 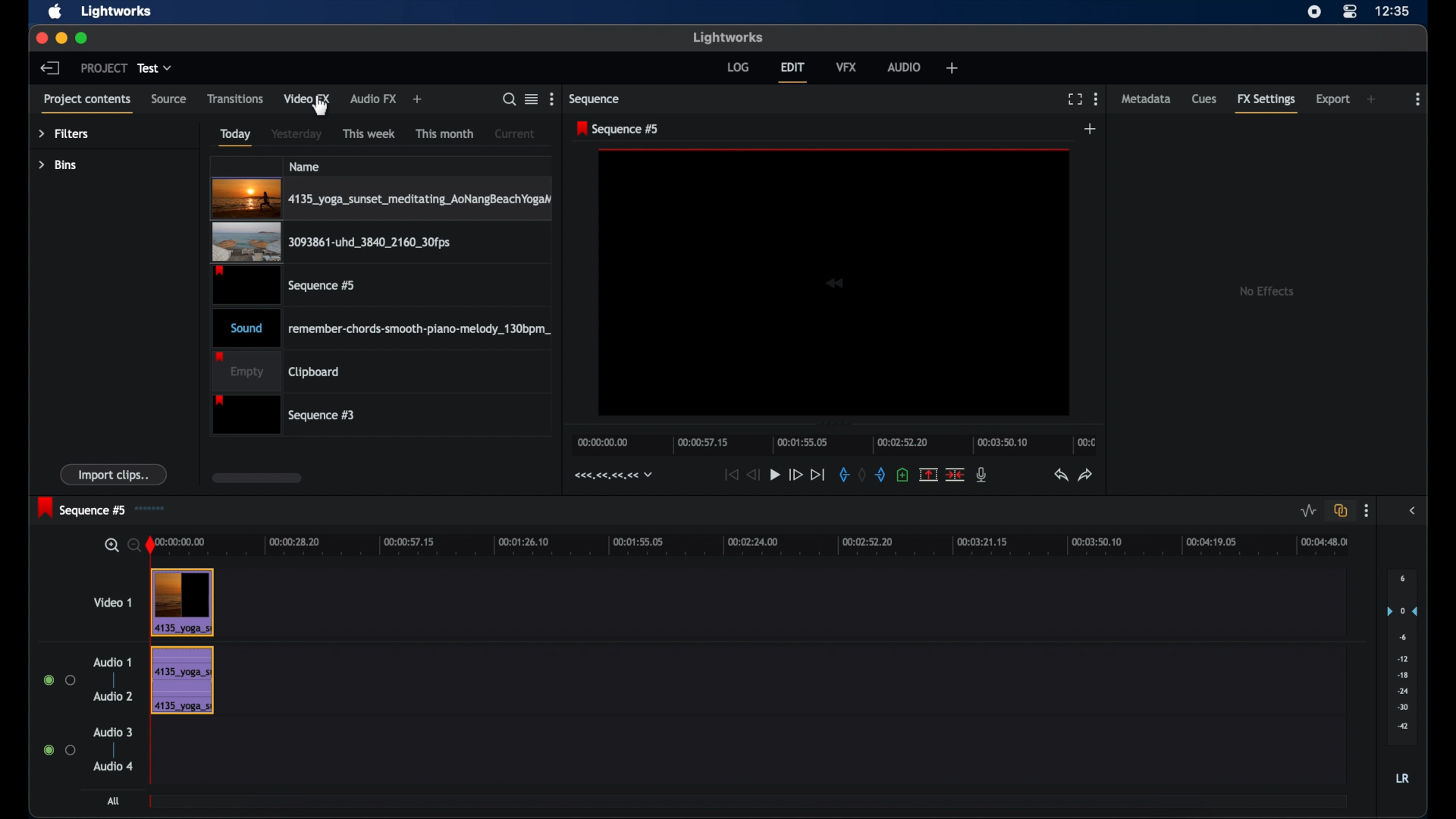 I want to click on audio track, so click(x=182, y=680).